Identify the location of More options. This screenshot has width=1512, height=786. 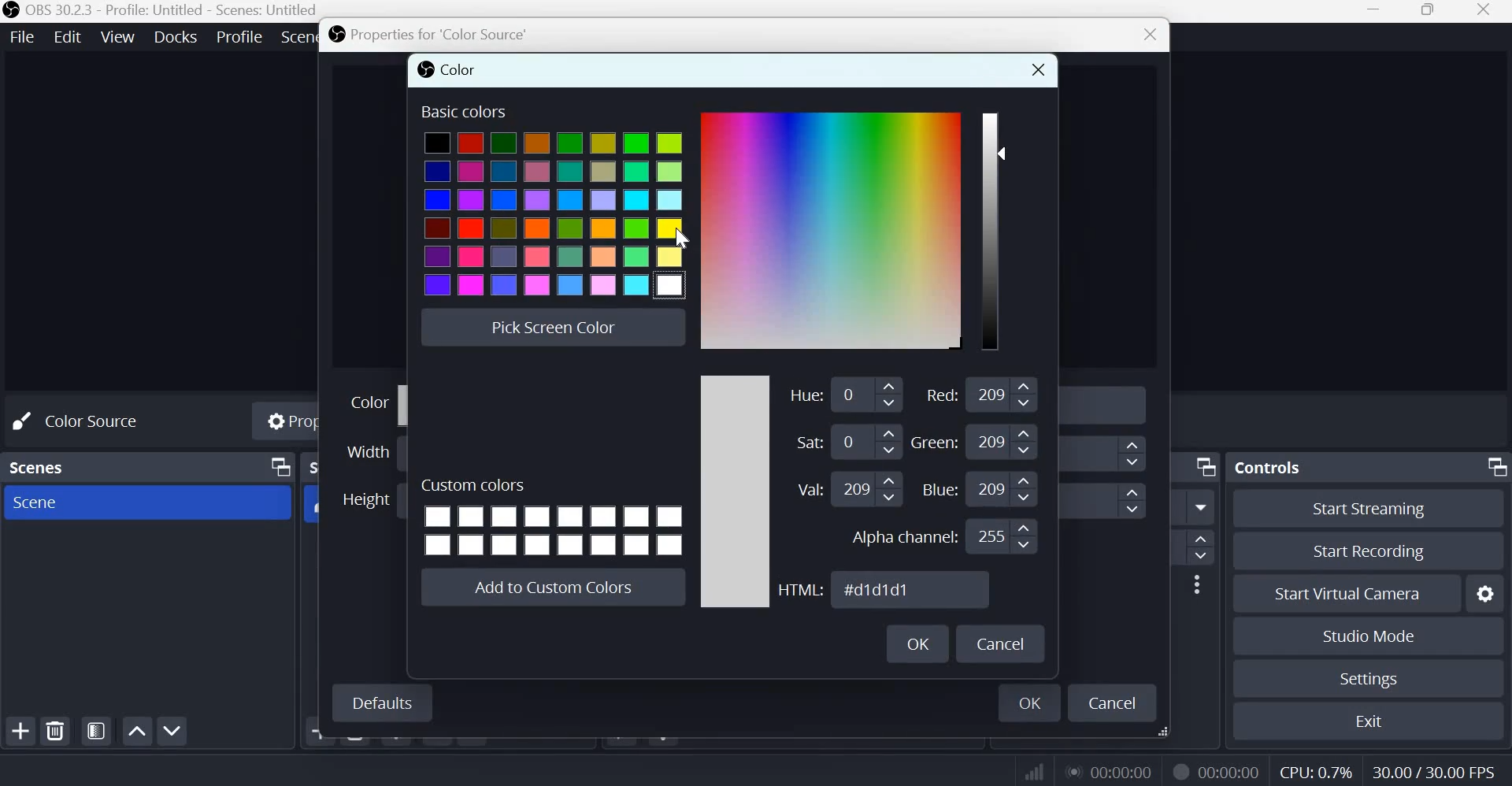
(1197, 584).